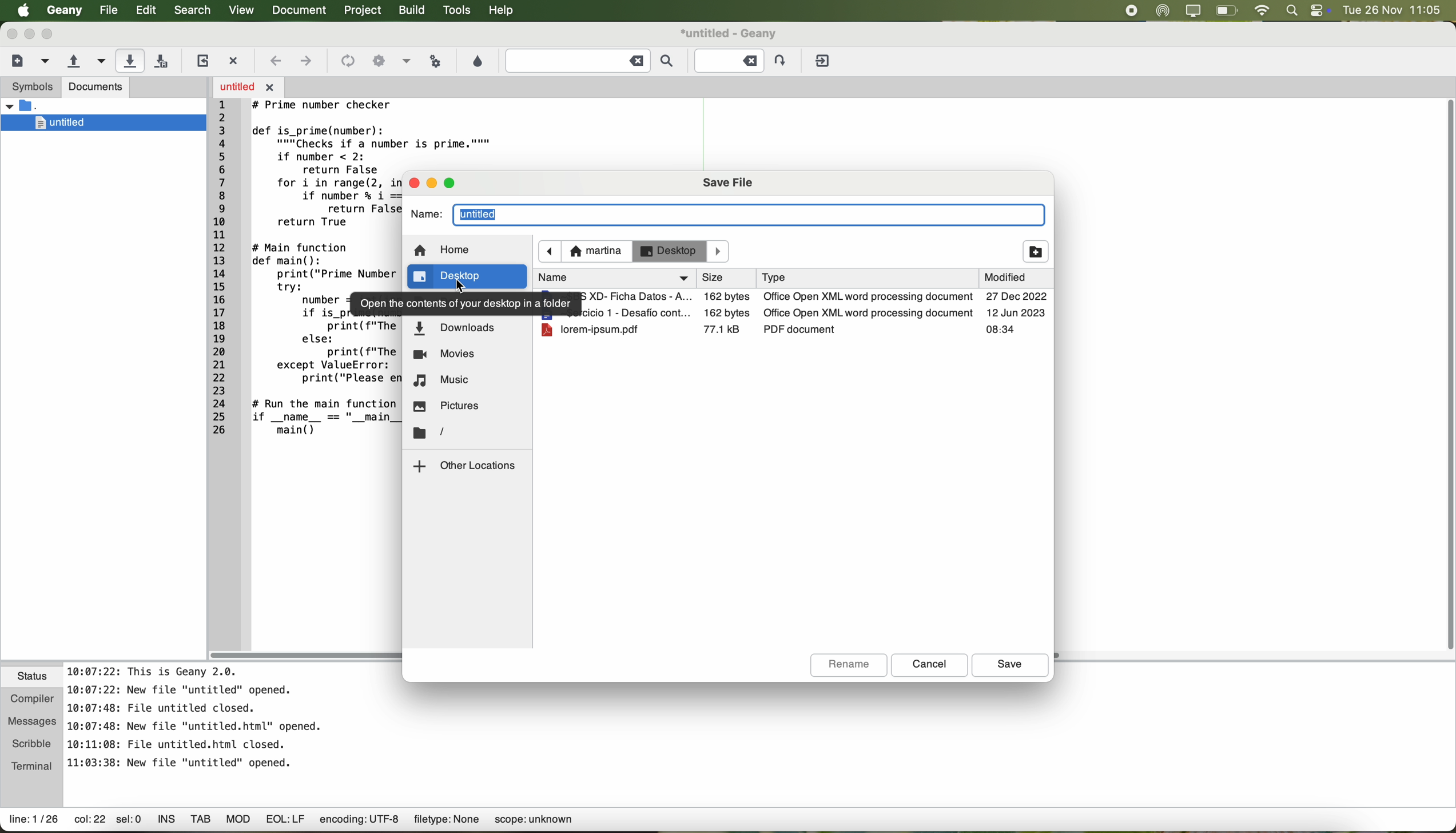 The width and height of the screenshot is (1456, 833). What do you see at coordinates (51, 34) in the screenshot?
I see `maximize Geany` at bounding box center [51, 34].